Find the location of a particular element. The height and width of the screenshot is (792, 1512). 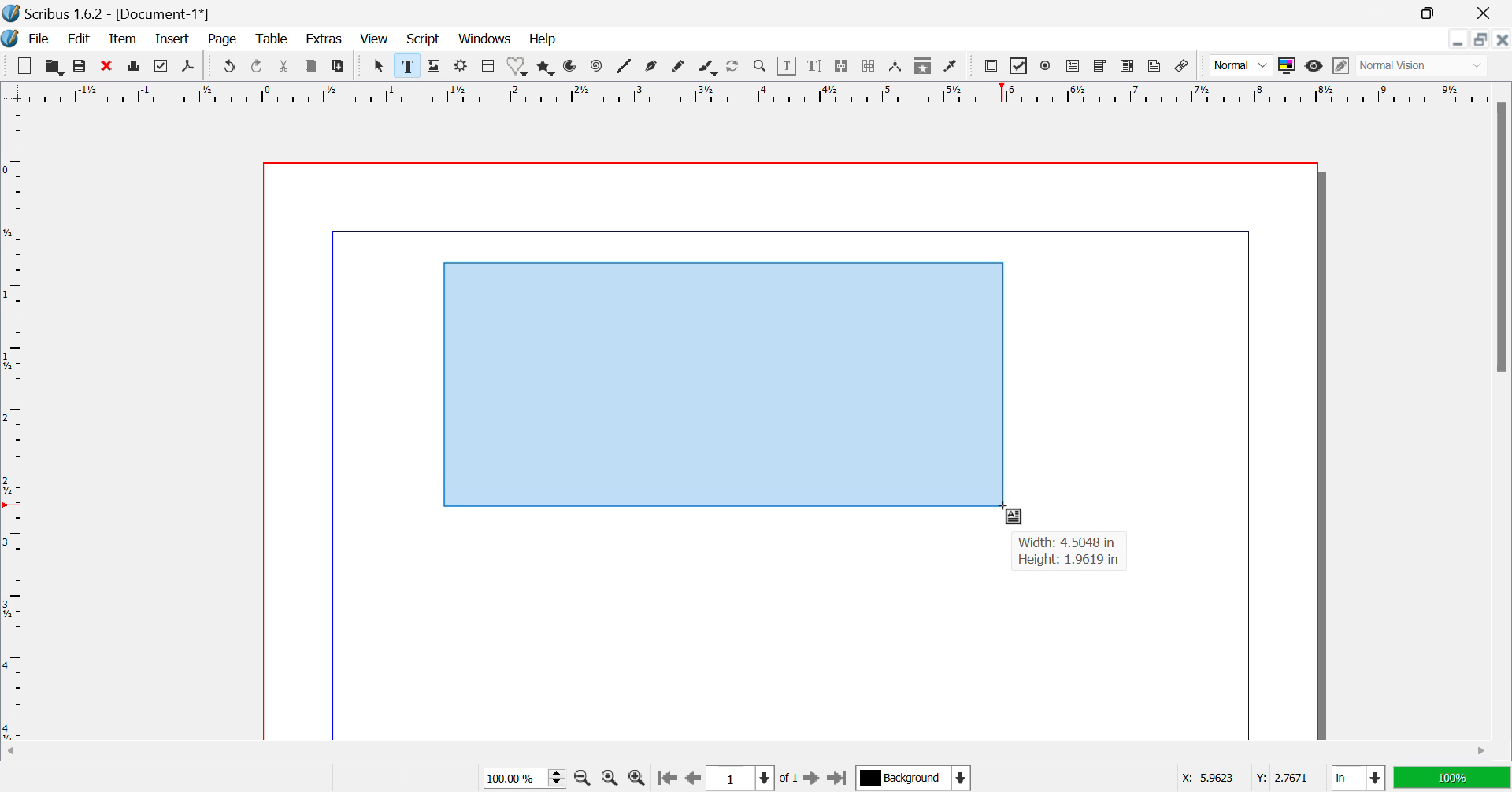

Spiral is located at coordinates (595, 69).